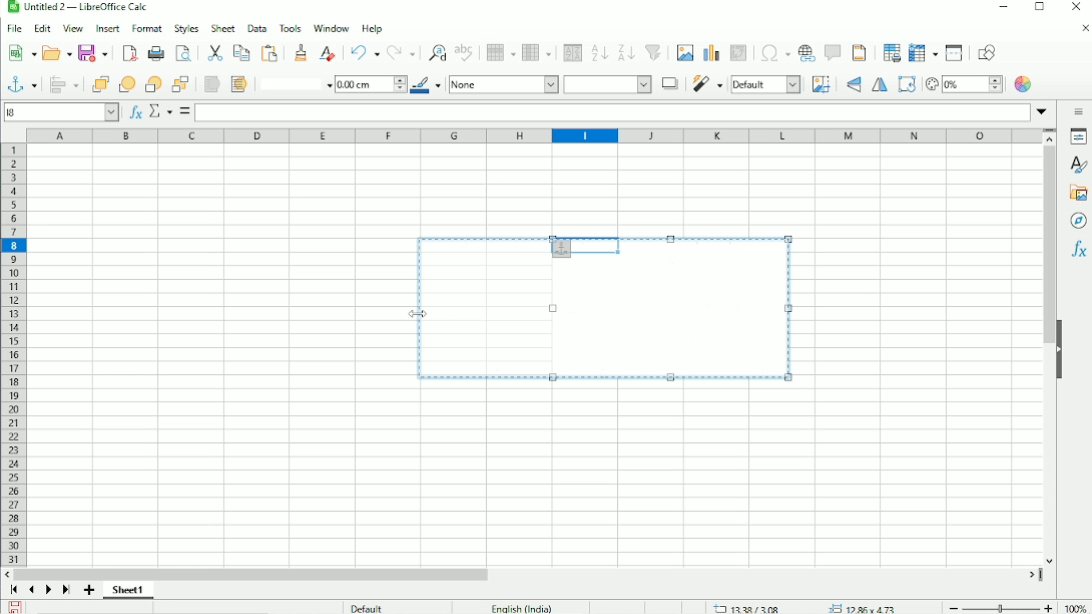 This screenshot has width=1092, height=614. What do you see at coordinates (42, 29) in the screenshot?
I see `Edit` at bounding box center [42, 29].